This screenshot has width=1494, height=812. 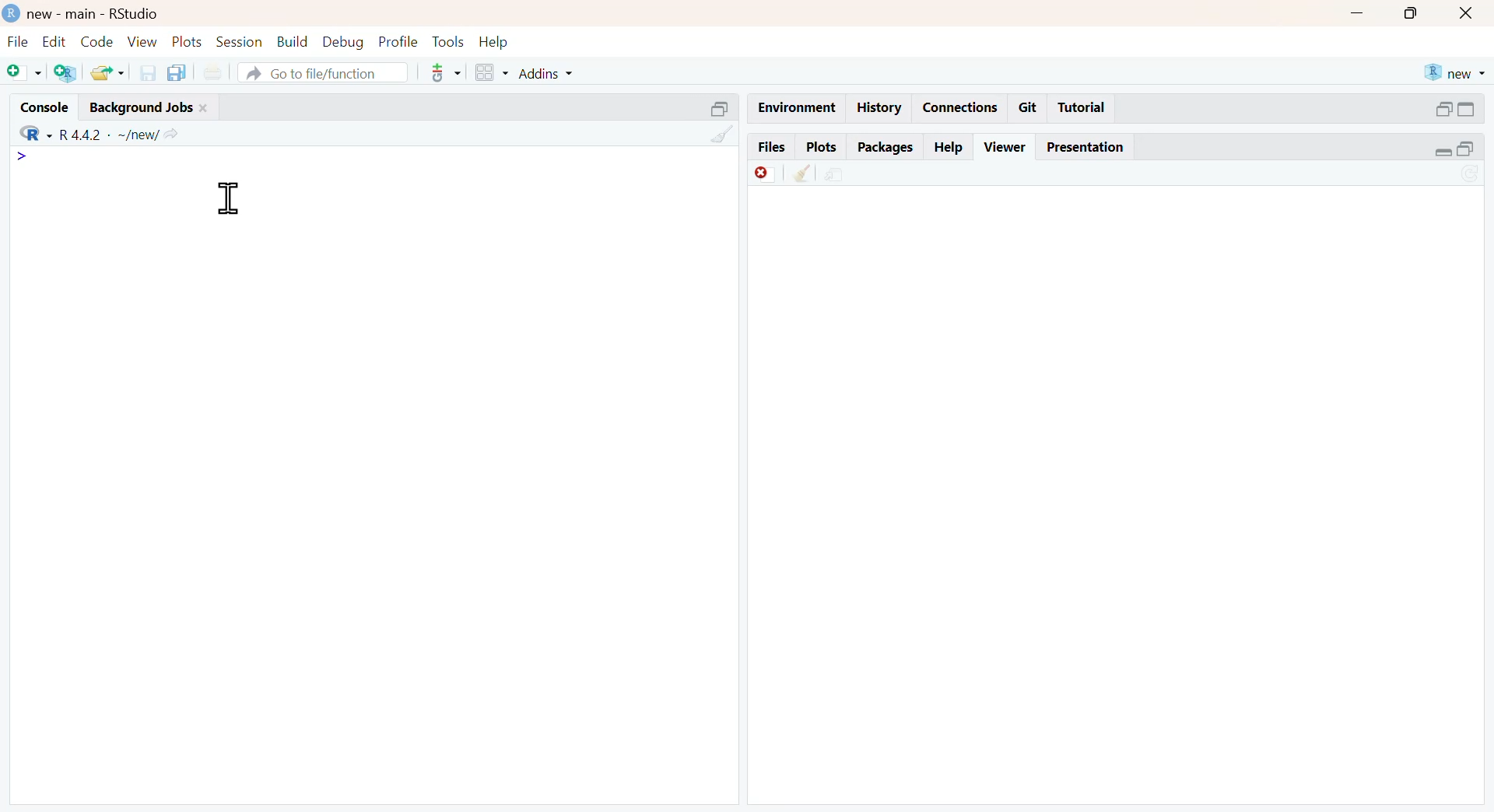 I want to click on Edit , so click(x=55, y=40).